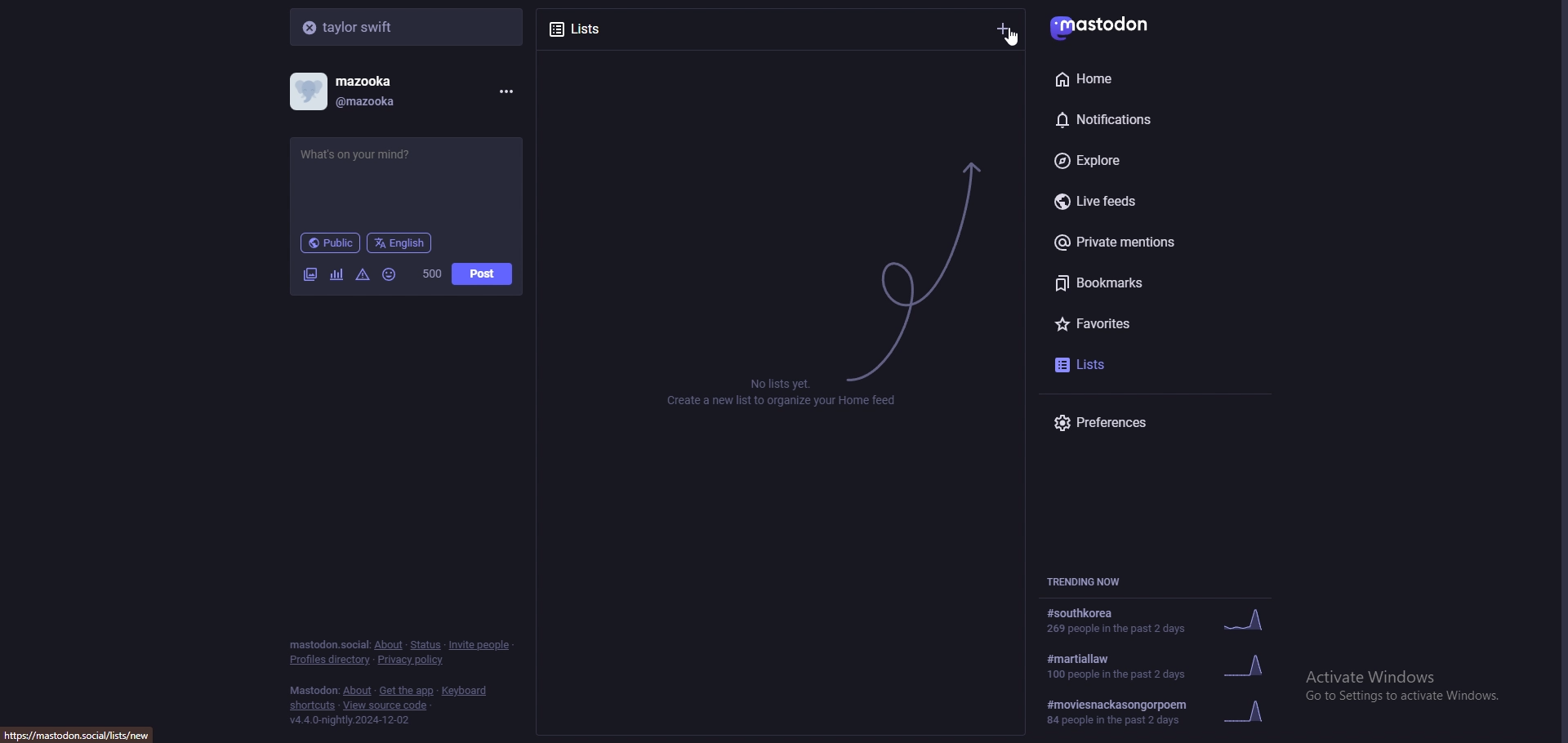 The width and height of the screenshot is (1568, 743). Describe the element at coordinates (1135, 78) in the screenshot. I see `home` at that location.